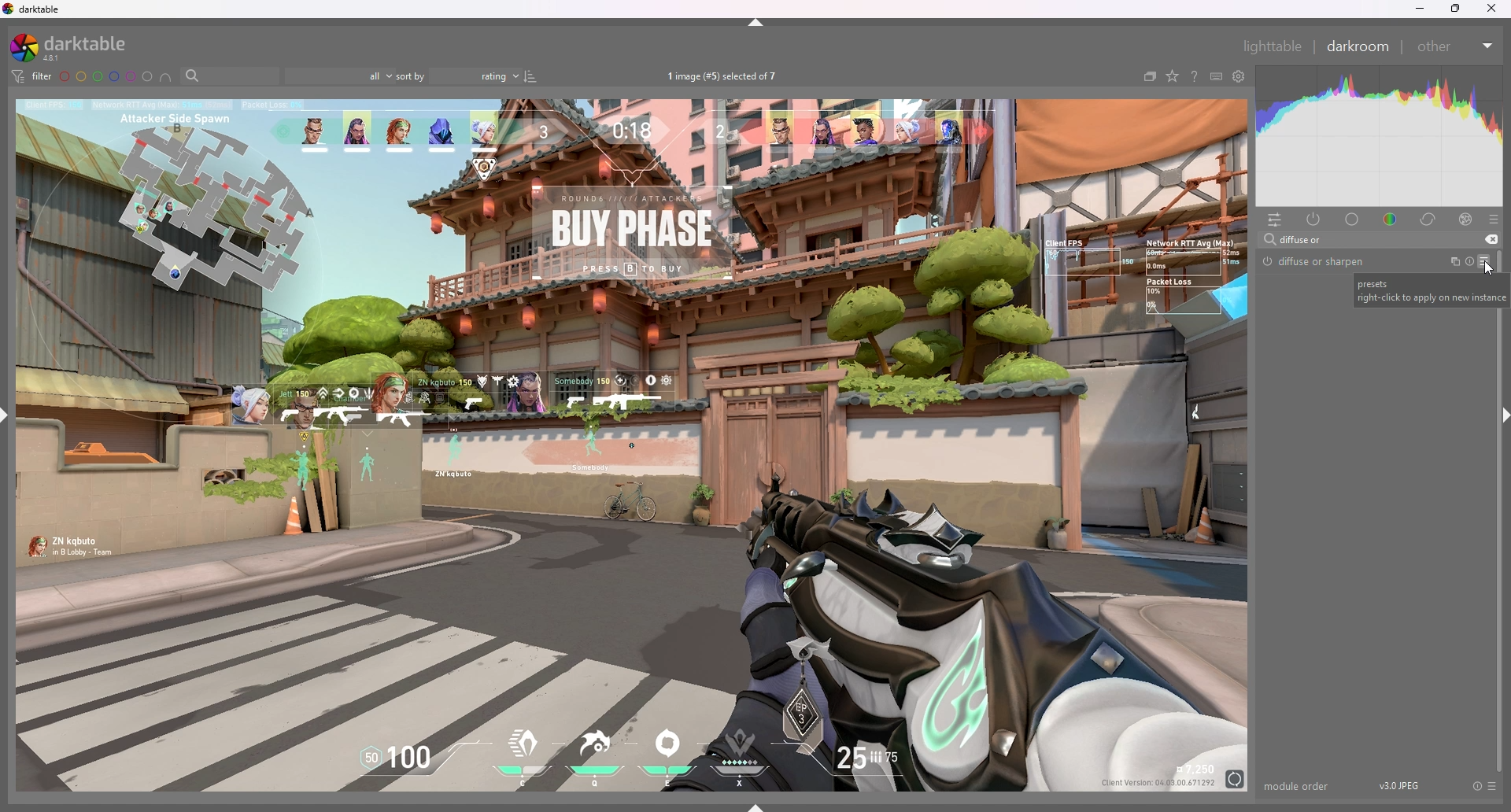  I want to click on cursor, so click(1484, 268).